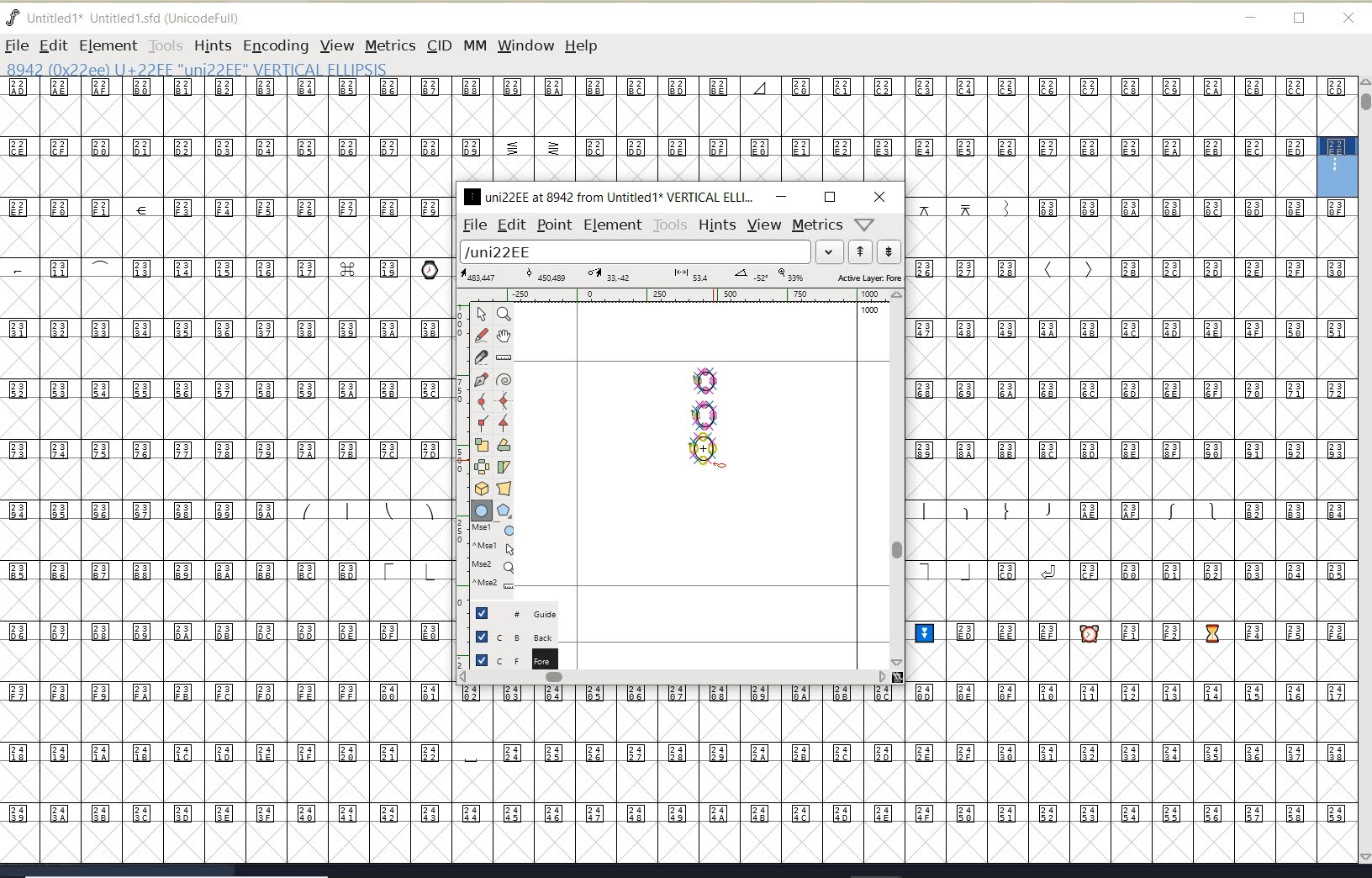  What do you see at coordinates (525, 45) in the screenshot?
I see `window` at bounding box center [525, 45].